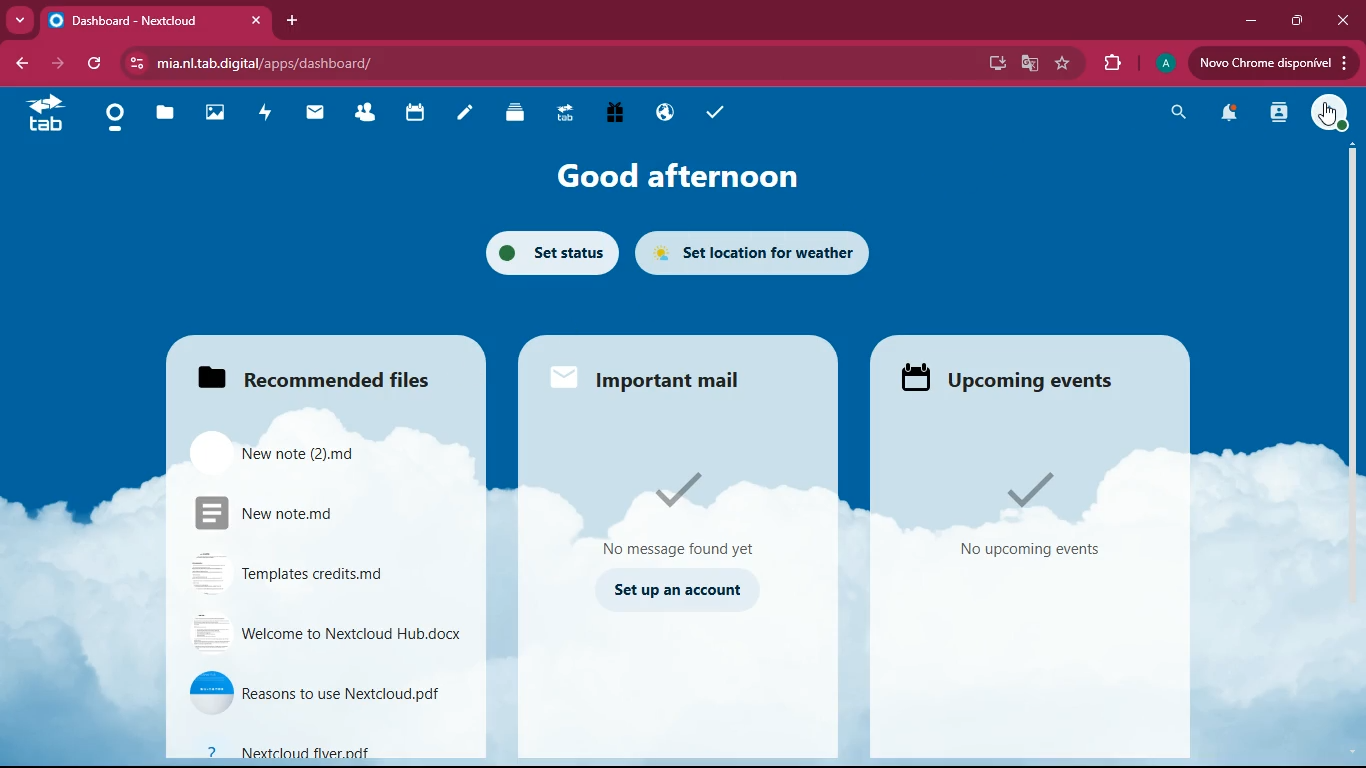  I want to click on home, so click(114, 118).